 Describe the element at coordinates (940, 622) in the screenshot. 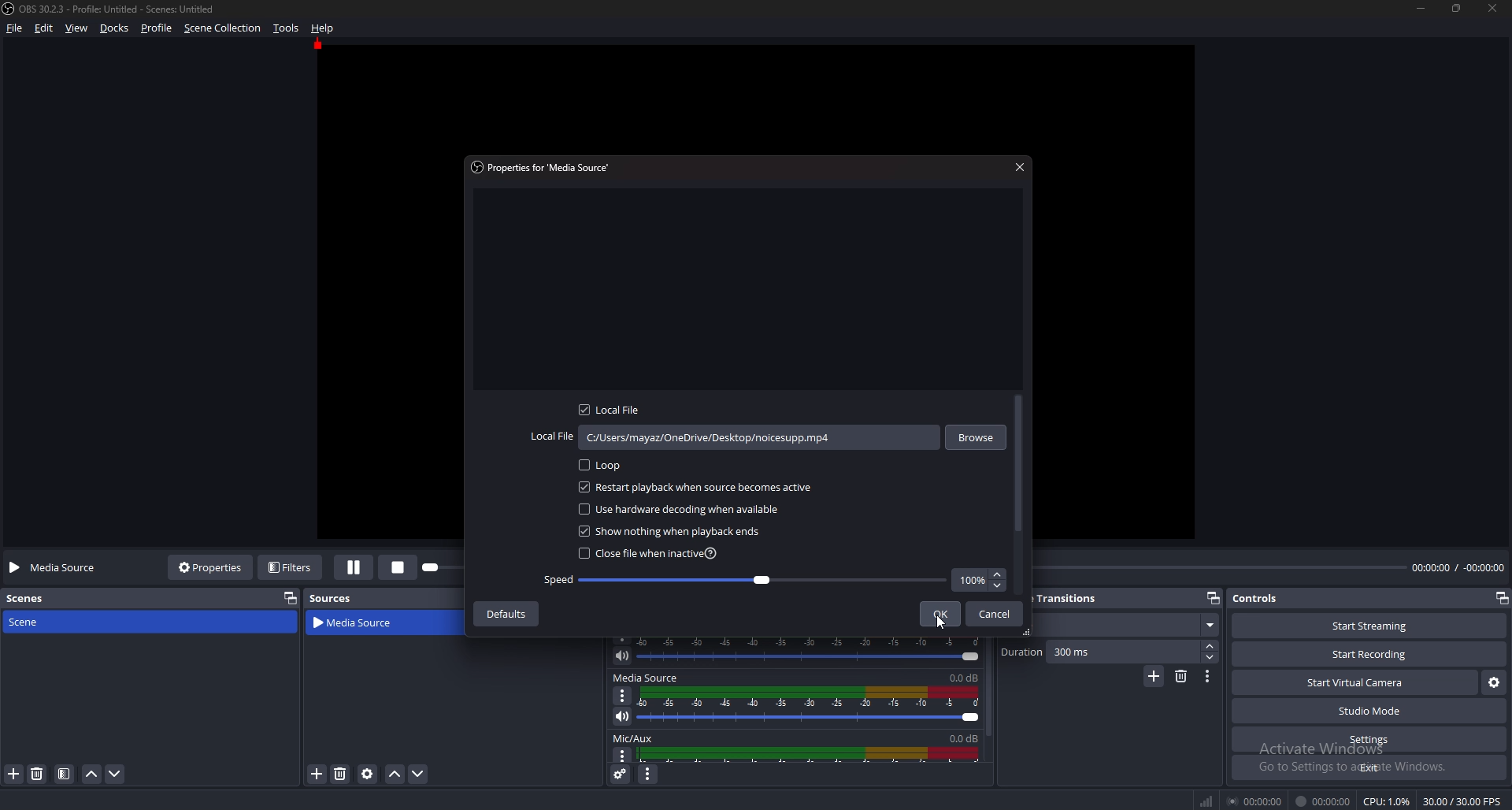

I see `cursor` at that location.